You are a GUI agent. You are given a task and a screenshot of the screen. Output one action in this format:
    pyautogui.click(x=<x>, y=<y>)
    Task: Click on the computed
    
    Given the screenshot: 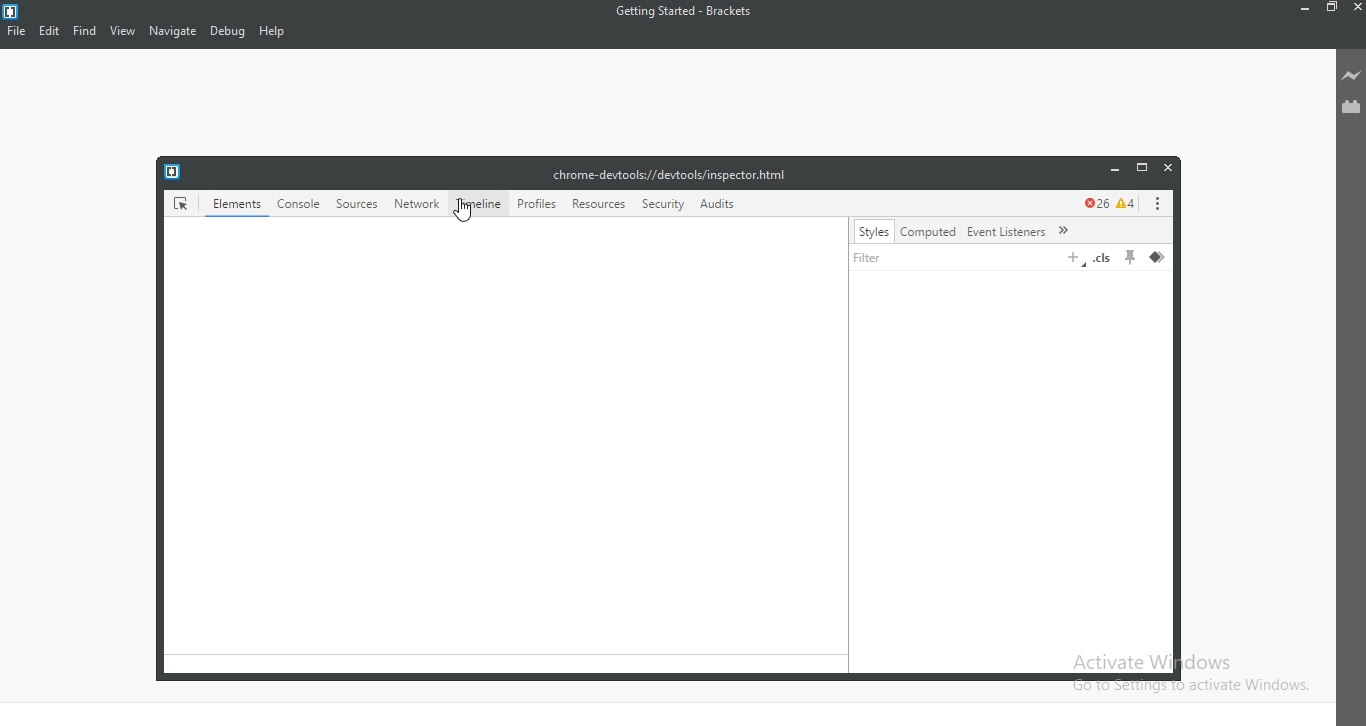 What is the action you would take?
    pyautogui.click(x=928, y=232)
    